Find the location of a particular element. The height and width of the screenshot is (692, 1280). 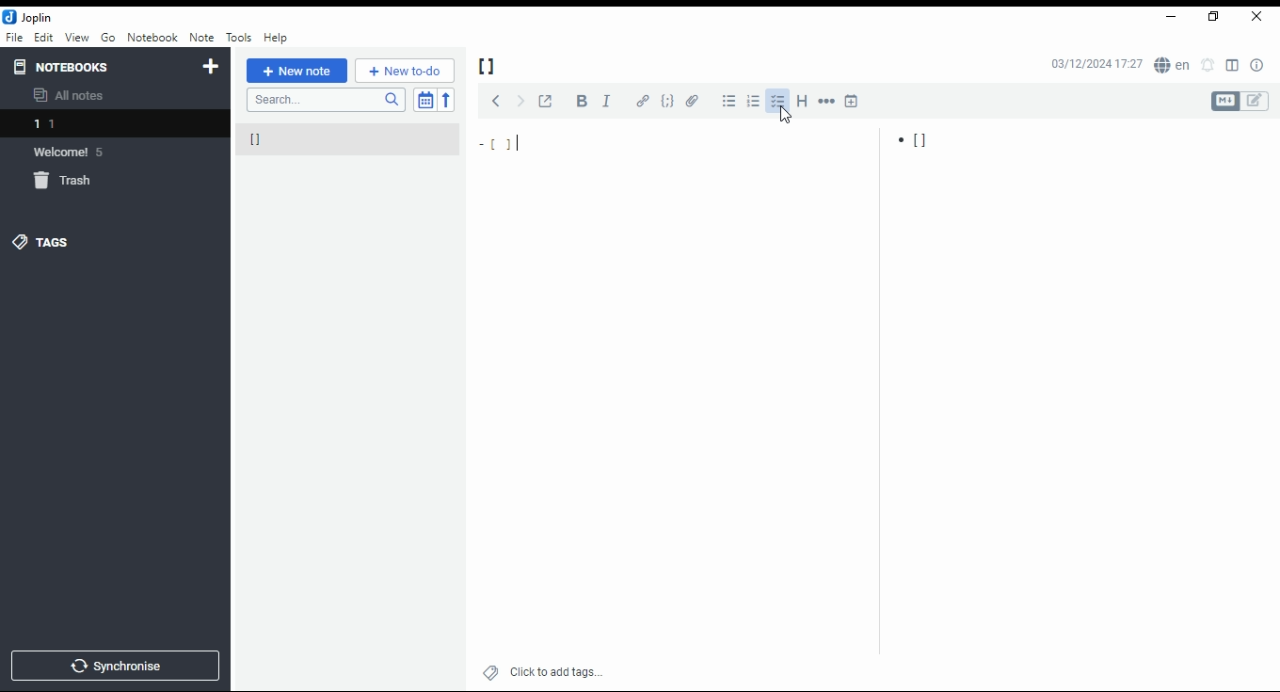

synchronize is located at coordinates (116, 666).